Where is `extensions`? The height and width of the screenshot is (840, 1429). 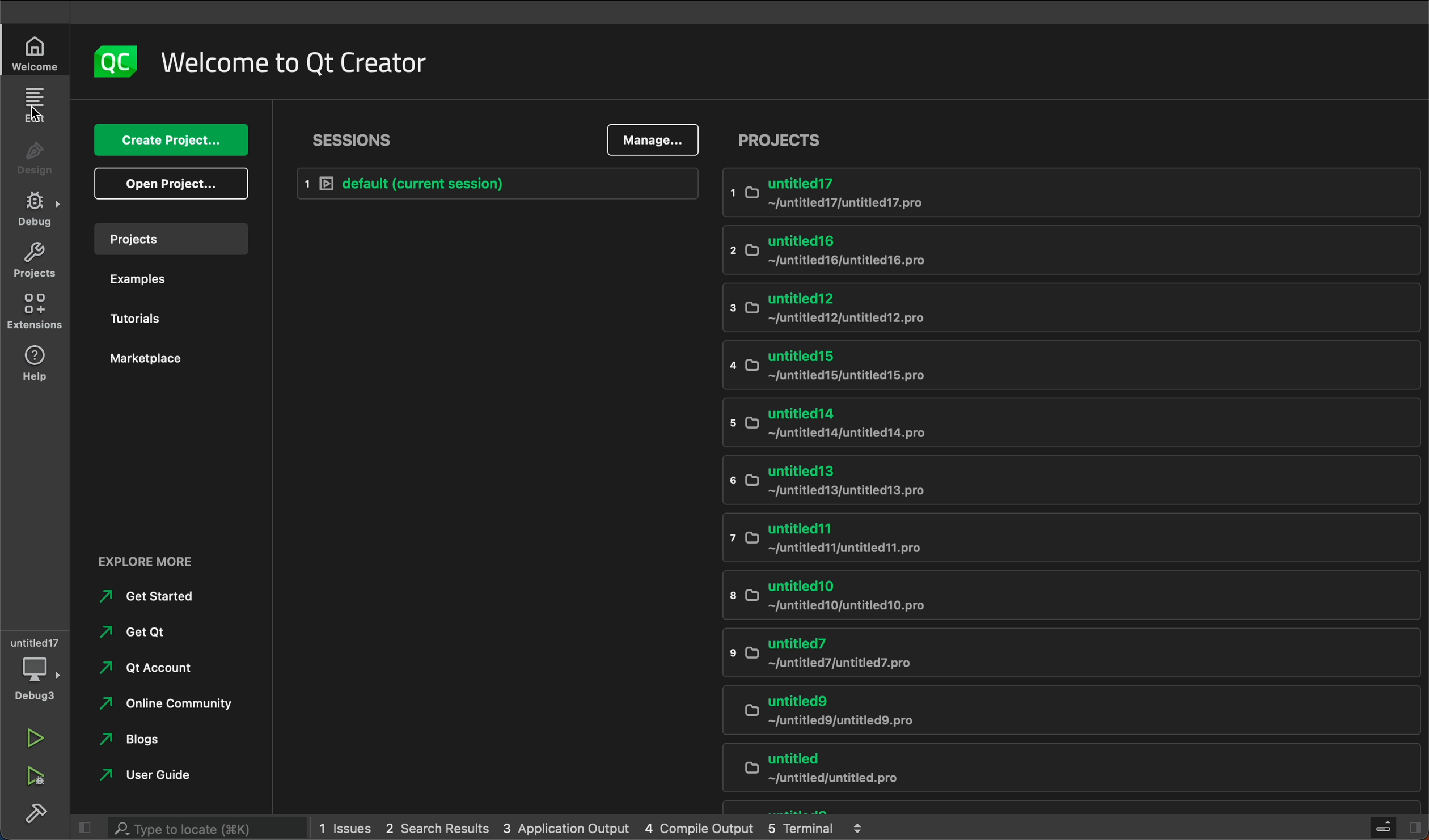
extensions is located at coordinates (37, 312).